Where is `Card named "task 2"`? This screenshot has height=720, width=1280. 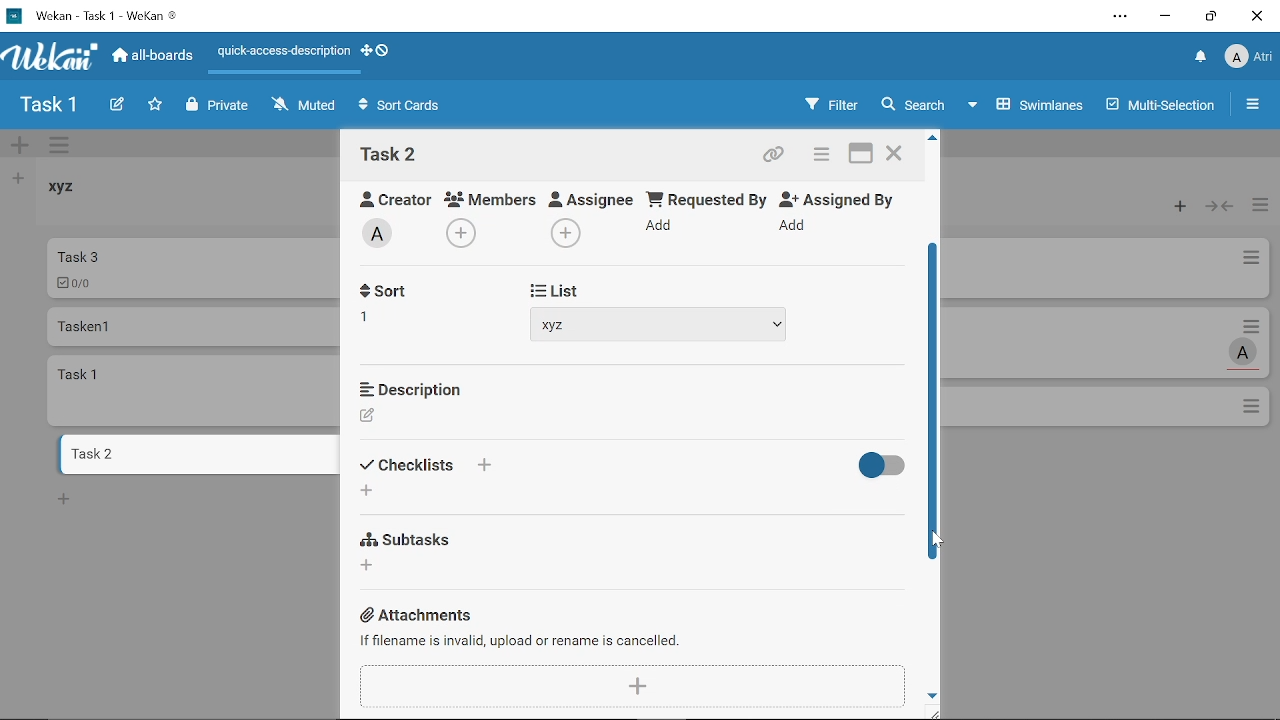
Card named "task 2" is located at coordinates (196, 454).